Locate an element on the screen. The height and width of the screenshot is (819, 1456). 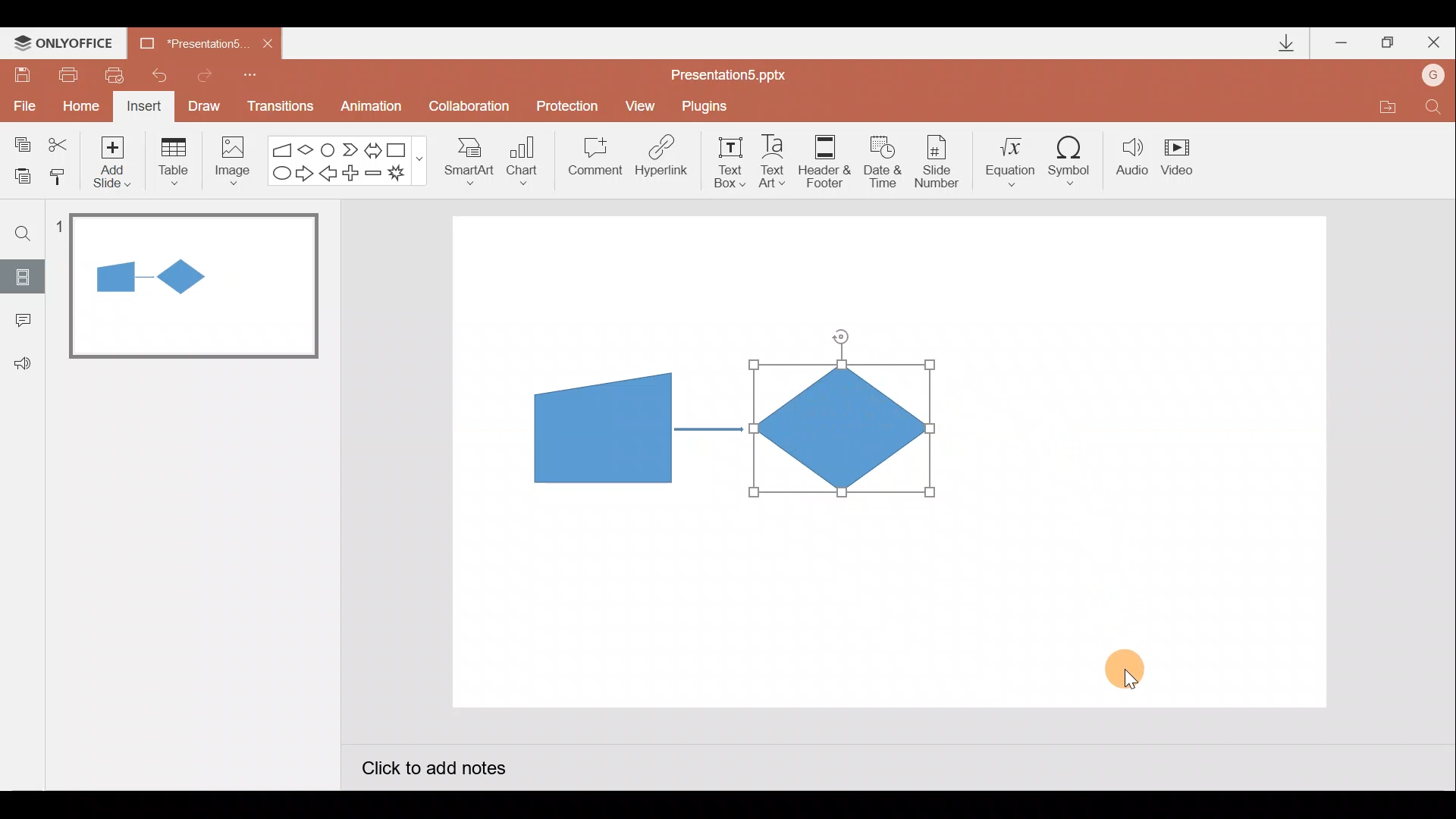
Protection is located at coordinates (572, 105).